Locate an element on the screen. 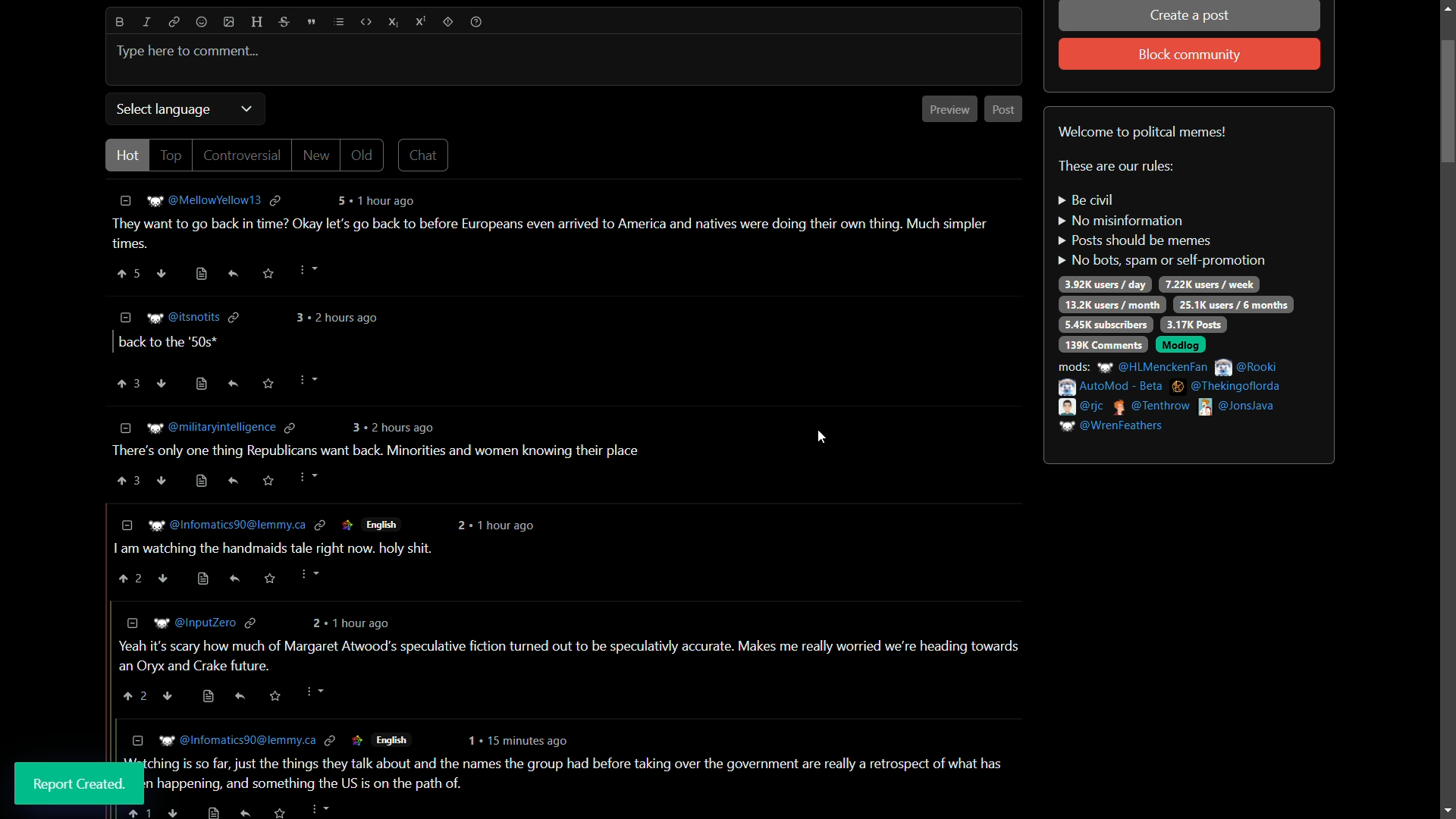 This screenshot has height=819, width=1456. less information is located at coordinates (126, 316).